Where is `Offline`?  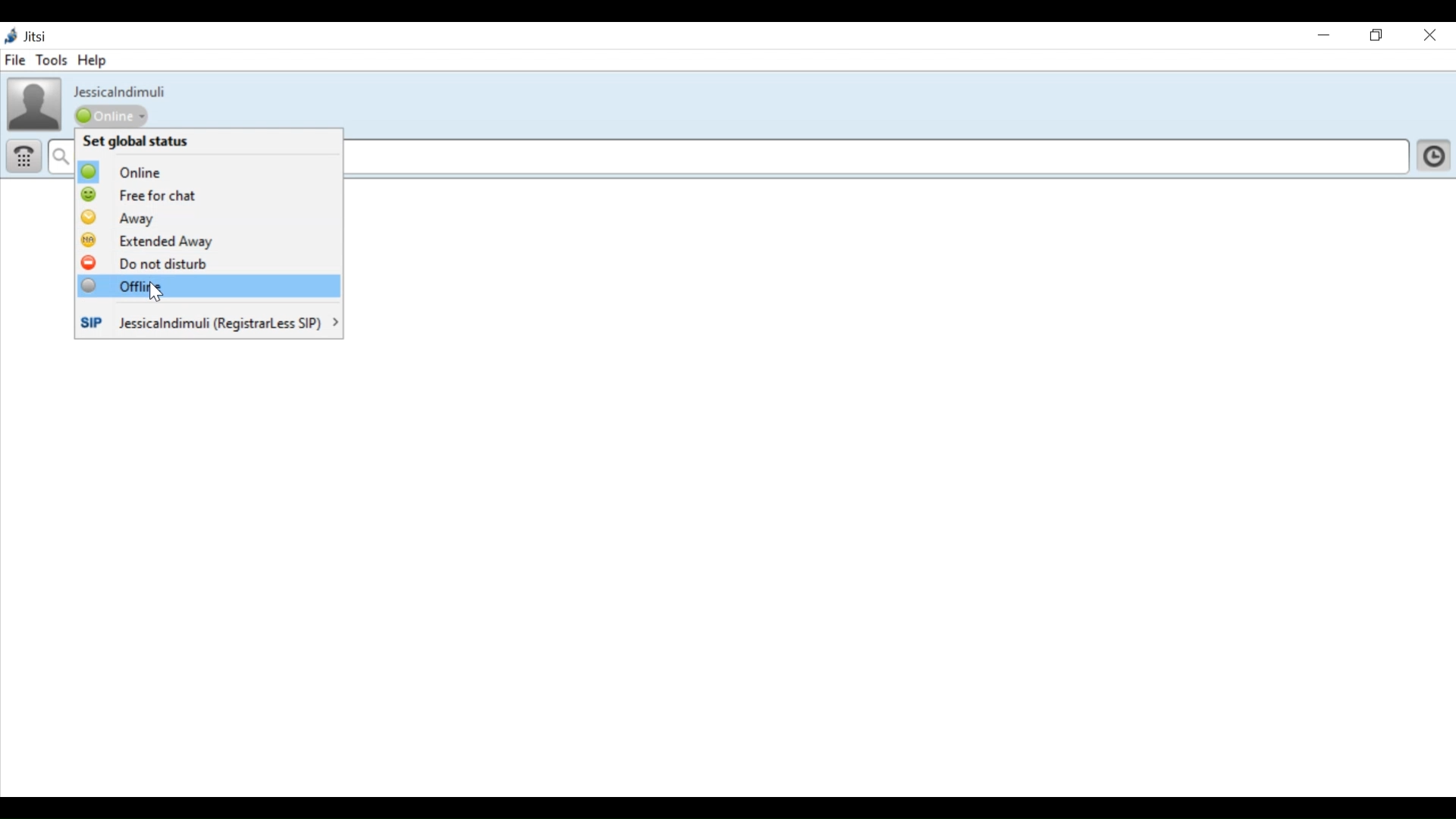 Offline is located at coordinates (206, 287).